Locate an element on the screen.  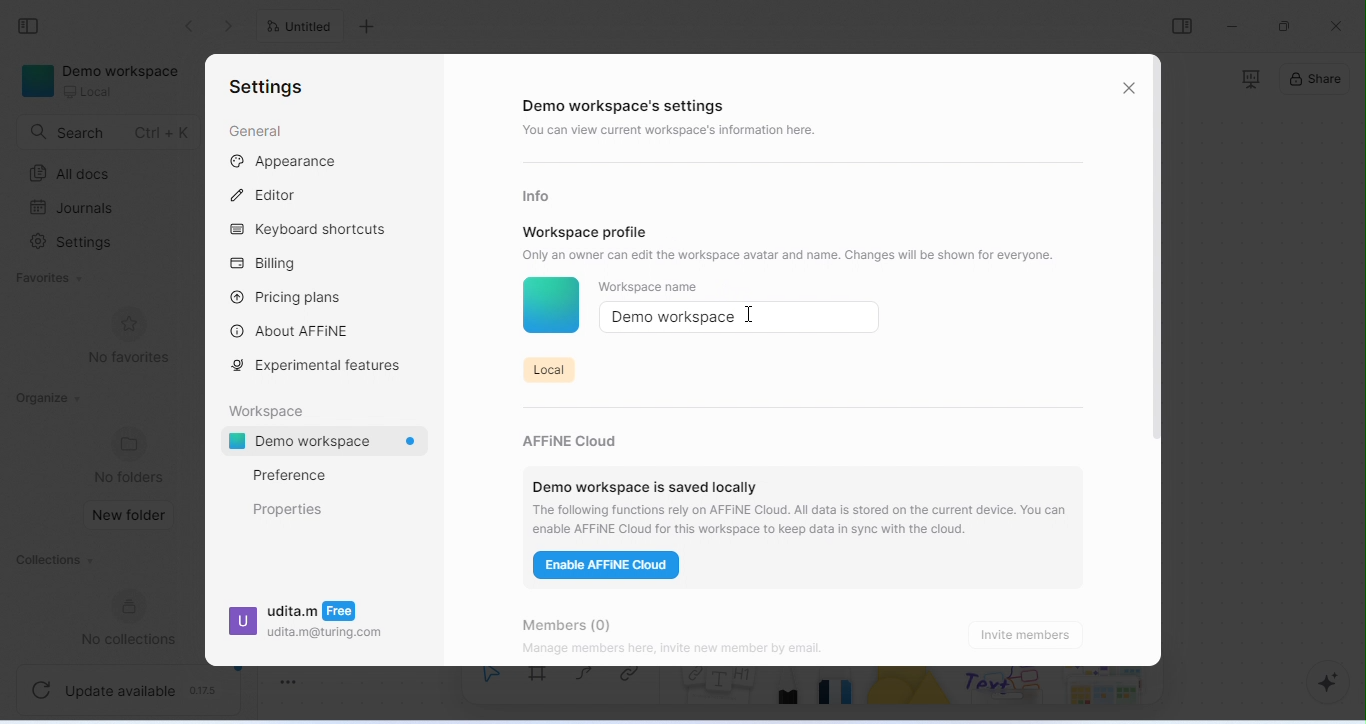
about affine is located at coordinates (293, 330).